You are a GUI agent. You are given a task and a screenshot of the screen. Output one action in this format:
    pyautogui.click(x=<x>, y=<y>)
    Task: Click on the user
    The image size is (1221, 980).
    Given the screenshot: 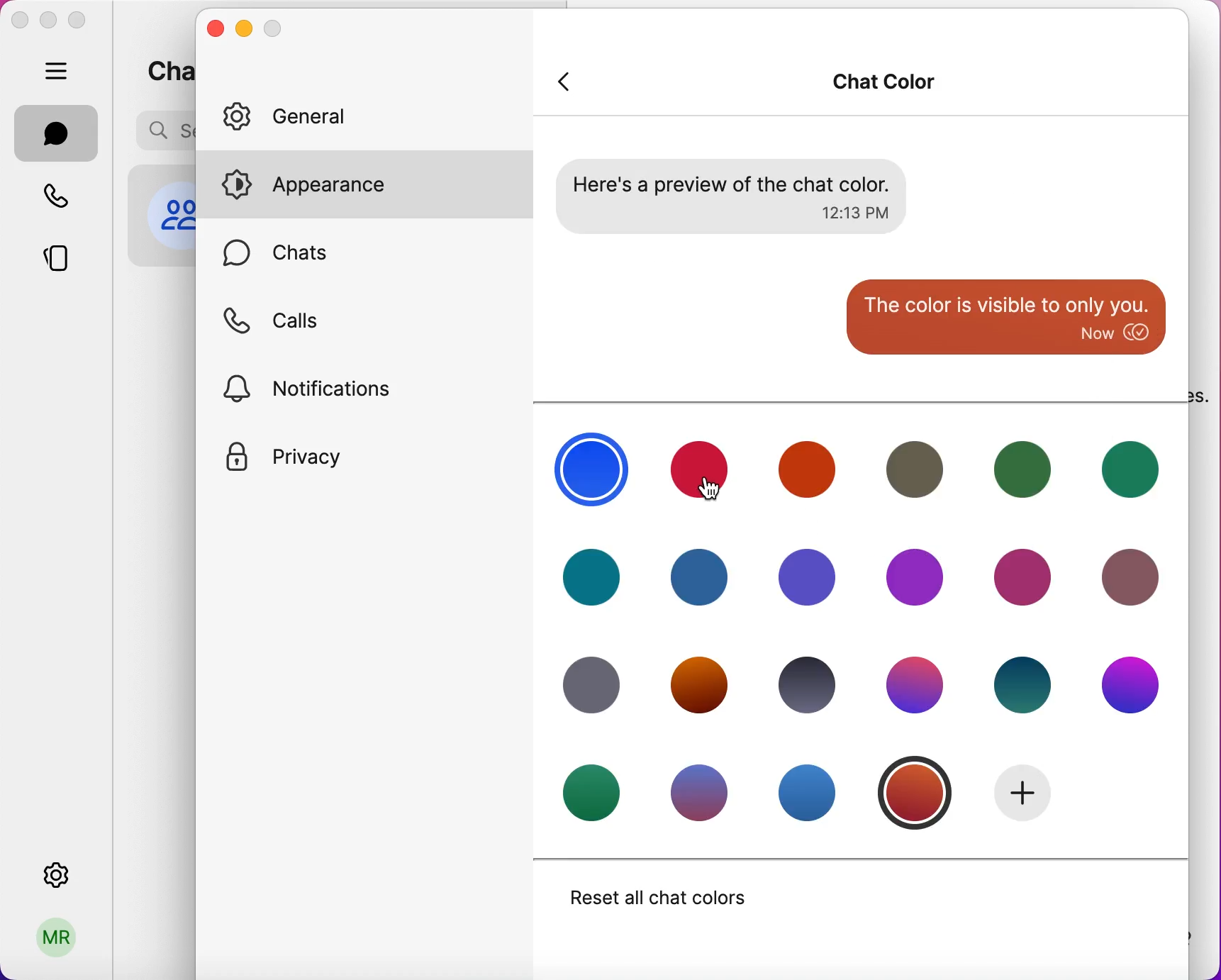 What is the action you would take?
    pyautogui.click(x=57, y=942)
    